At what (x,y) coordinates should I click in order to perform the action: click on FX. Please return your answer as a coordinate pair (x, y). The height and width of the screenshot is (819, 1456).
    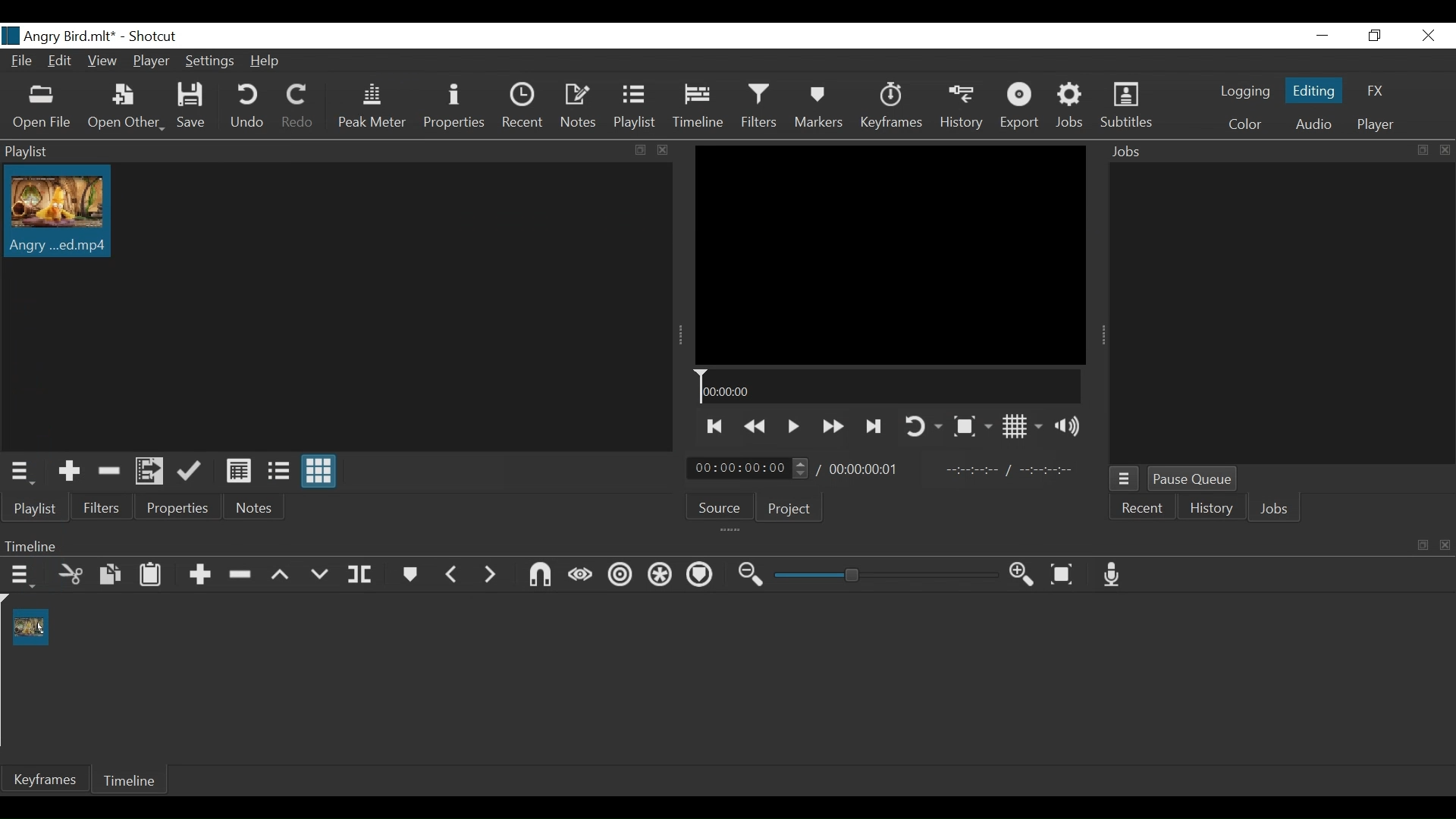
    Looking at the image, I should click on (1375, 91).